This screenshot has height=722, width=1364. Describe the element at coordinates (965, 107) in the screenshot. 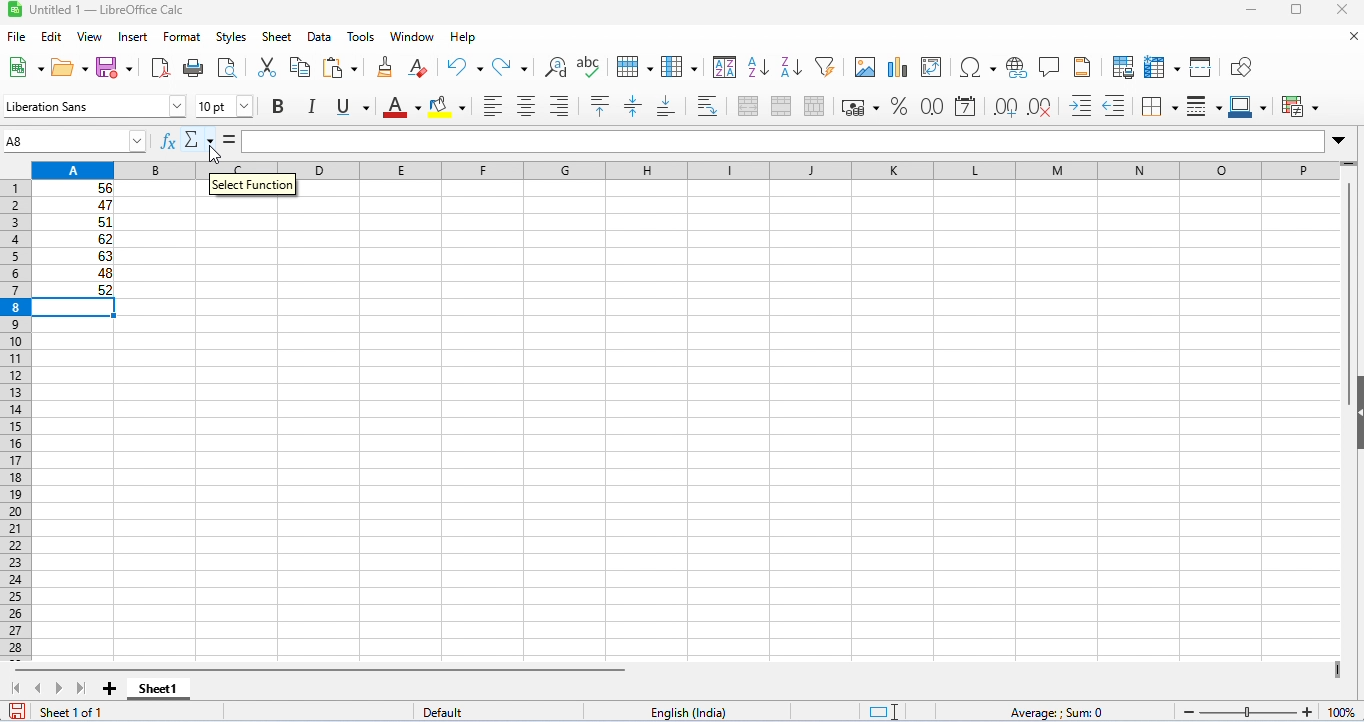

I see `format as date` at that location.